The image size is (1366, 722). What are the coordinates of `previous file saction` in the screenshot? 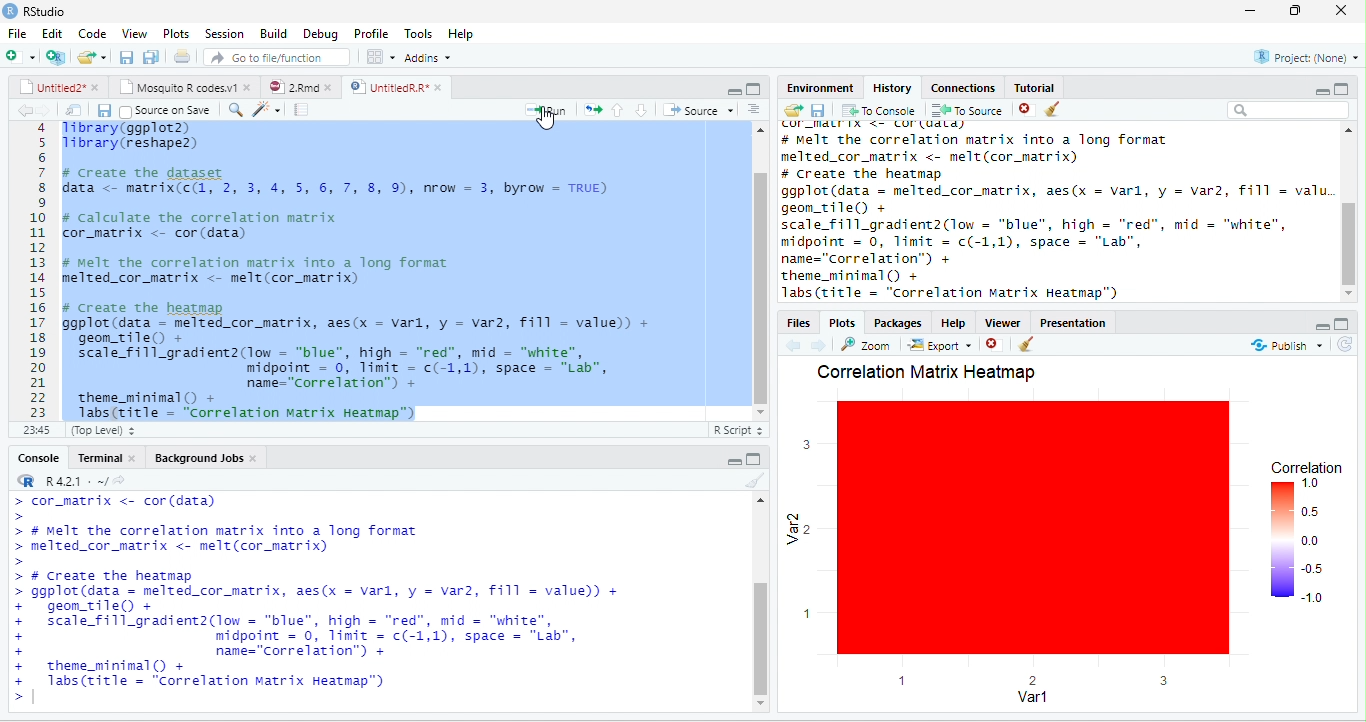 It's located at (128, 56).